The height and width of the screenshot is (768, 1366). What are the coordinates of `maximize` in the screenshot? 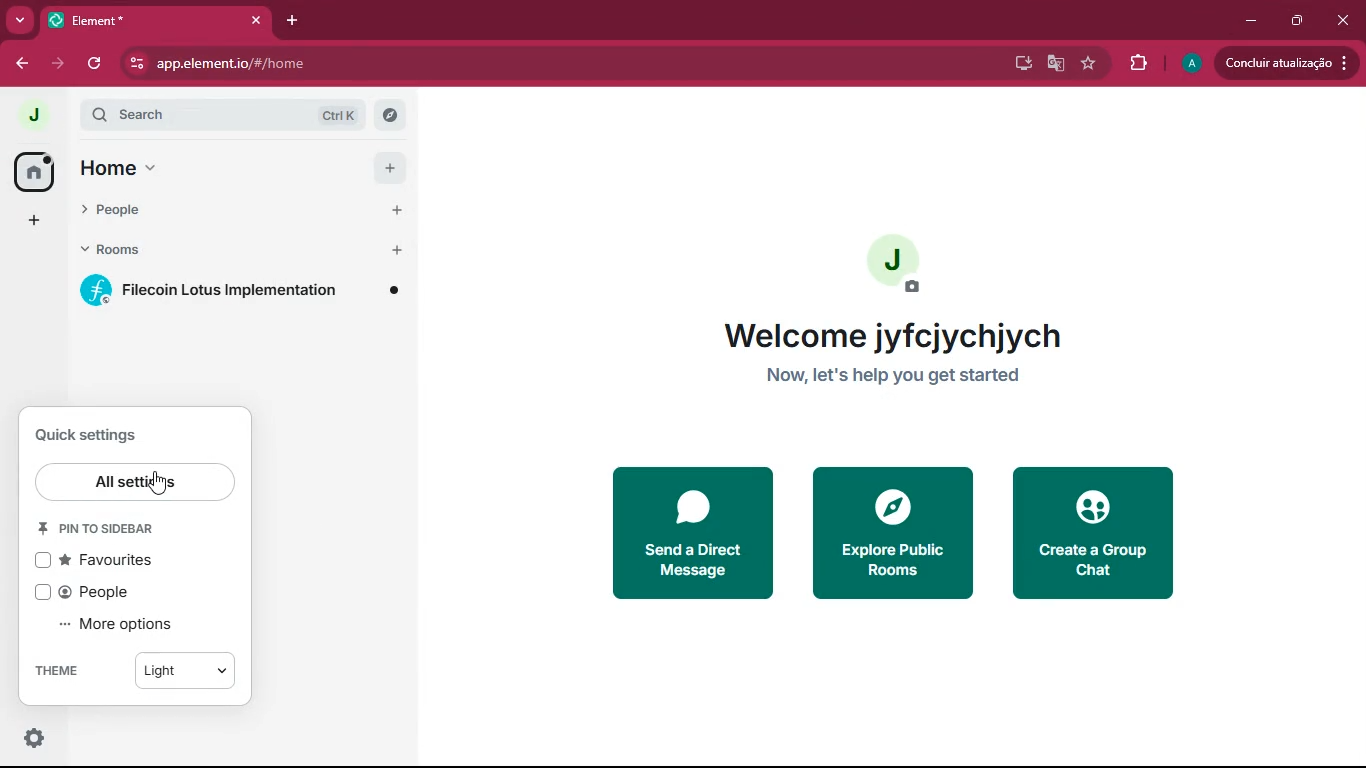 It's located at (1297, 21).